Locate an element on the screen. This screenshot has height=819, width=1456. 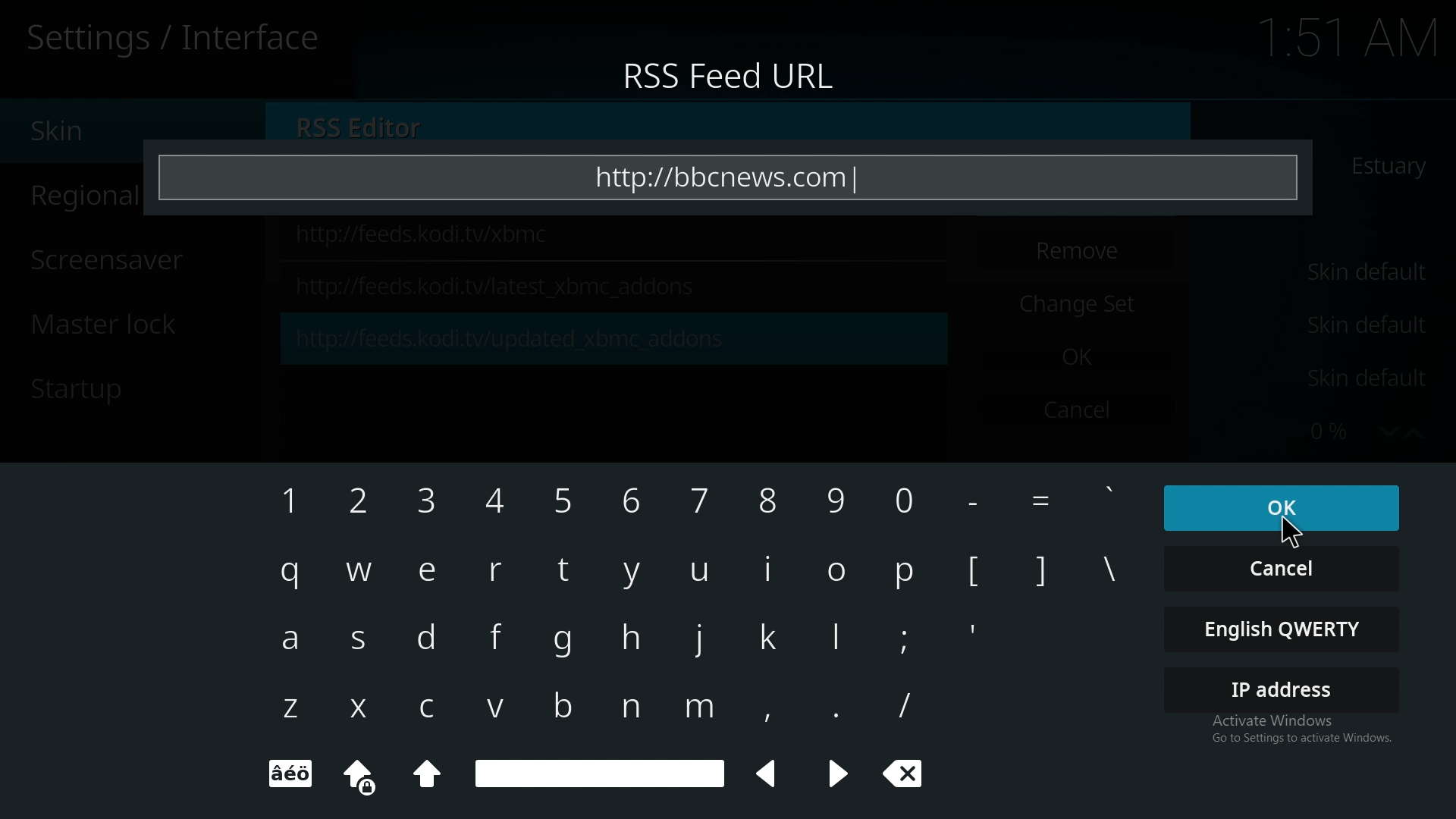
cancel is located at coordinates (1284, 570).